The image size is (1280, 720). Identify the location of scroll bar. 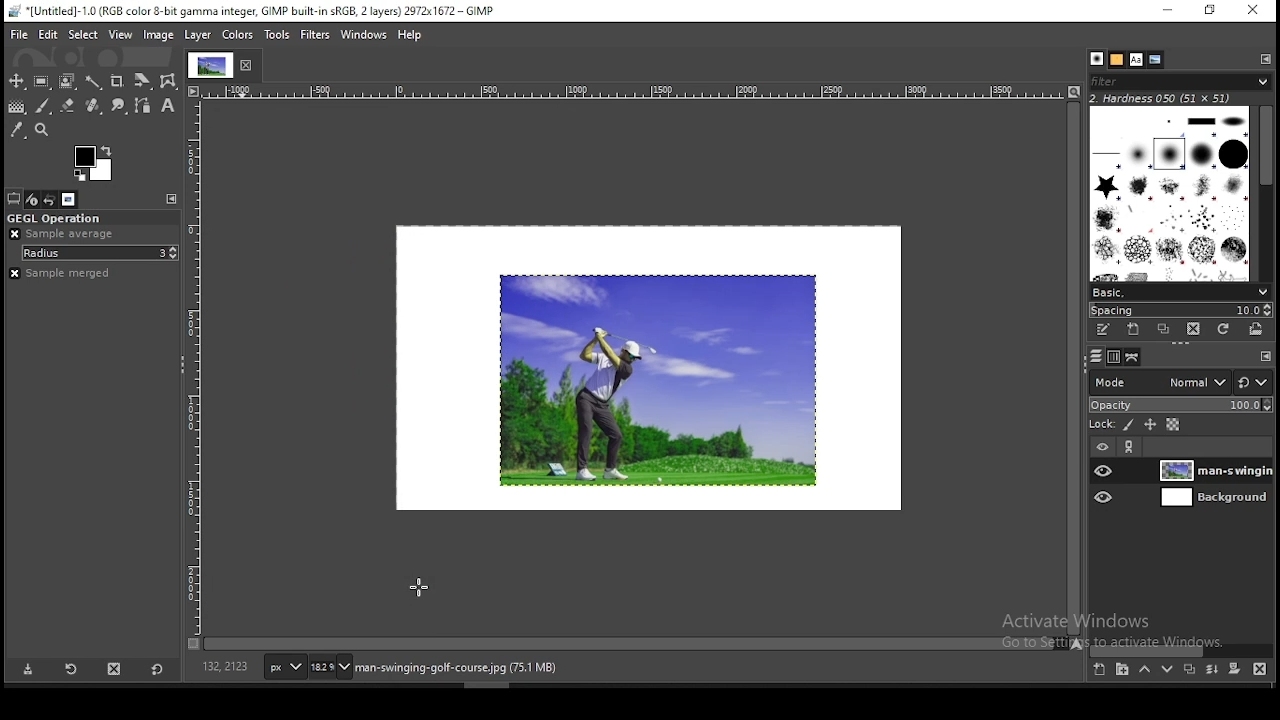
(1266, 193).